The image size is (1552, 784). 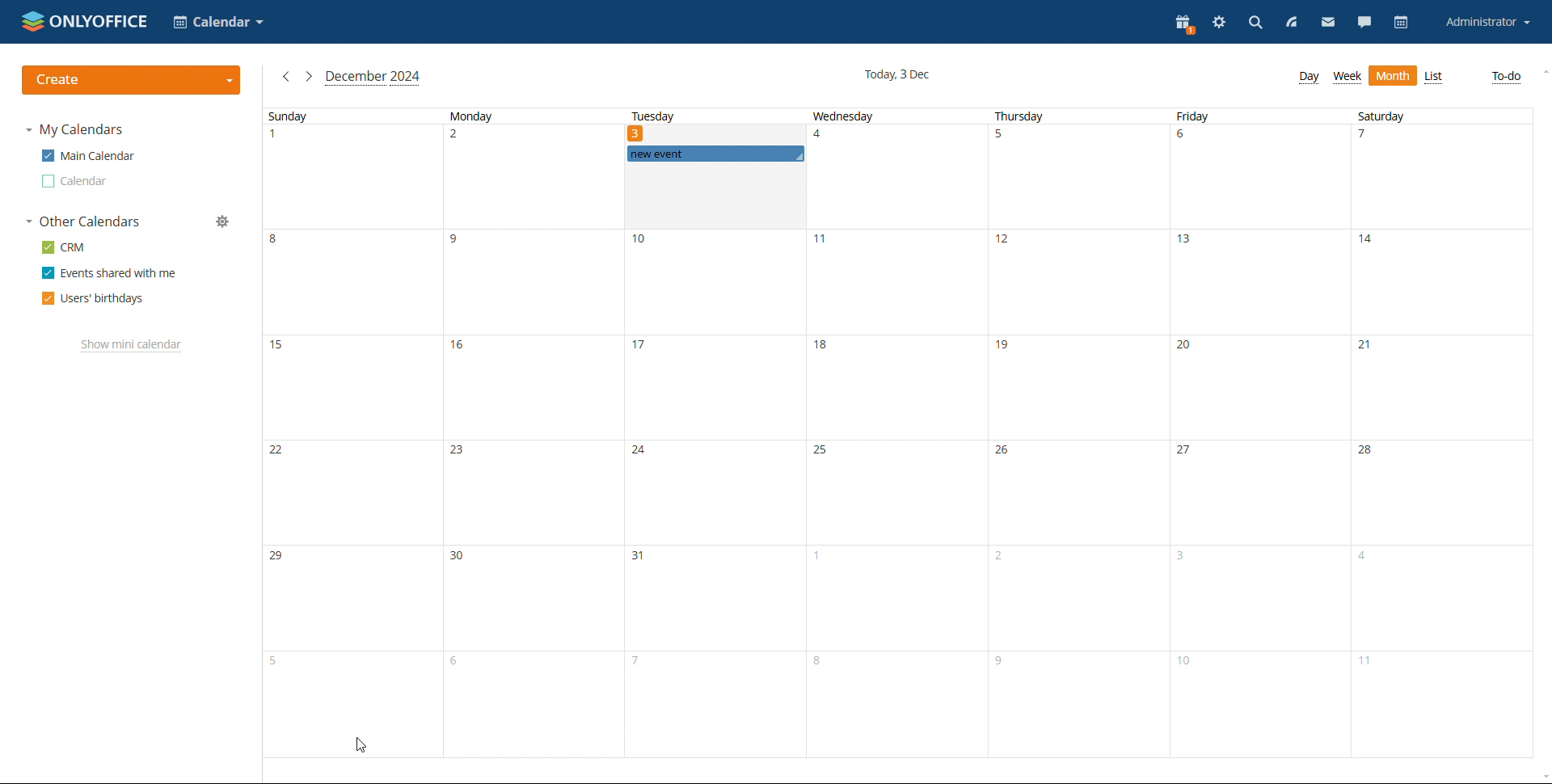 What do you see at coordinates (896, 76) in the screenshot?
I see `current date` at bounding box center [896, 76].